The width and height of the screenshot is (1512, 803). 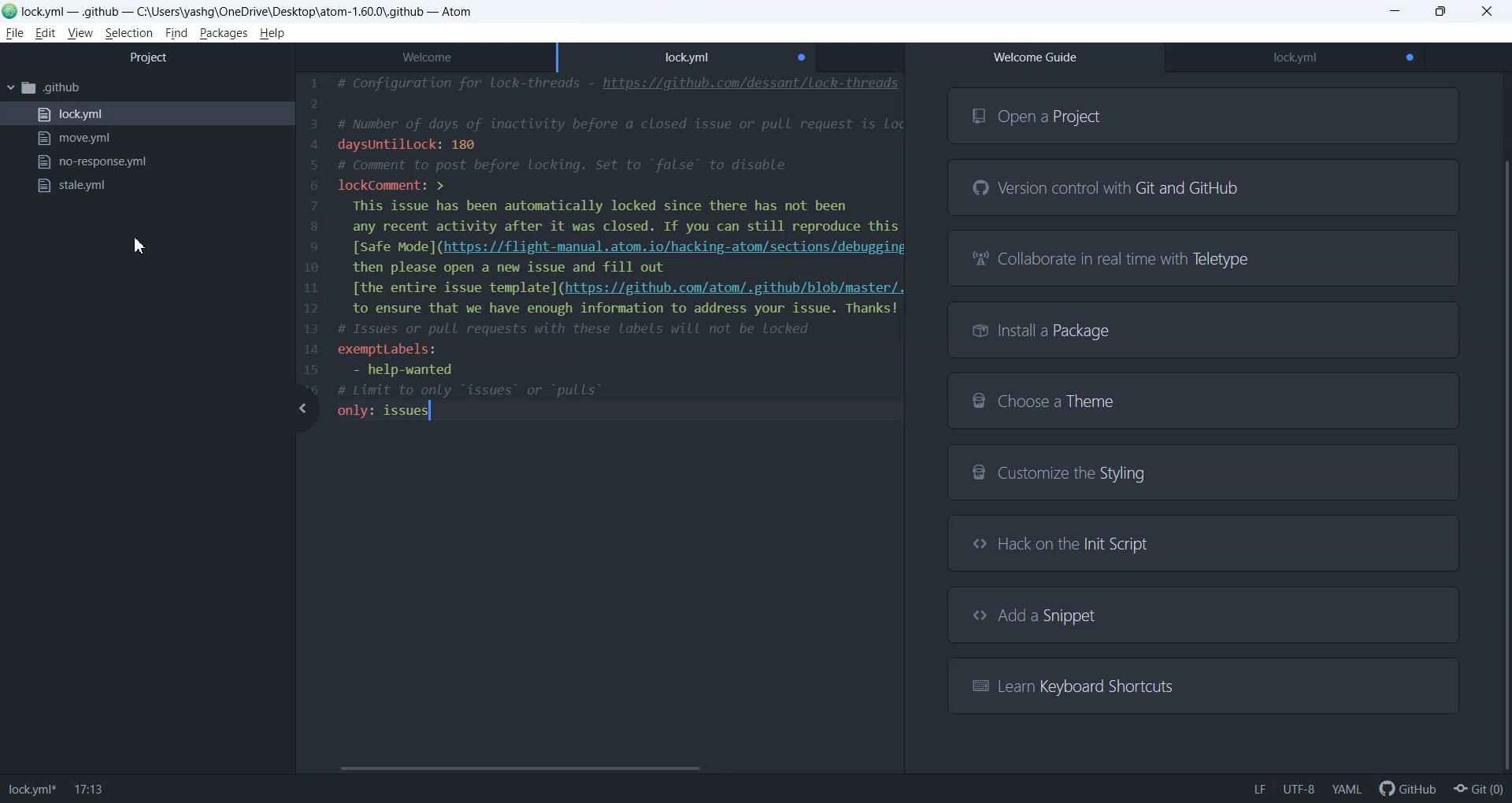 What do you see at coordinates (1295, 58) in the screenshot?
I see `Lock.yml ` at bounding box center [1295, 58].